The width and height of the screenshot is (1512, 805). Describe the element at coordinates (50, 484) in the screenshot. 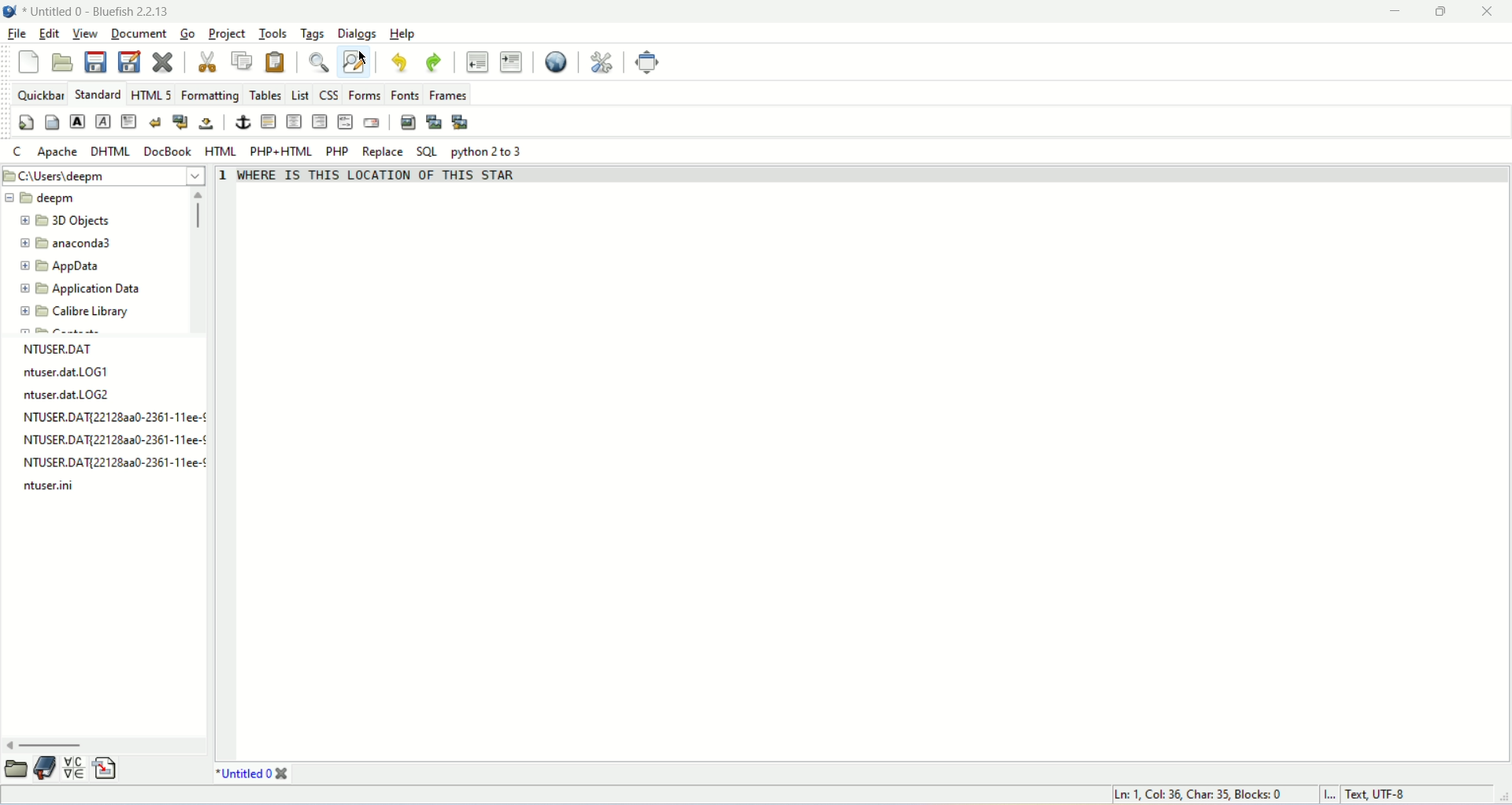

I see `file name` at that location.